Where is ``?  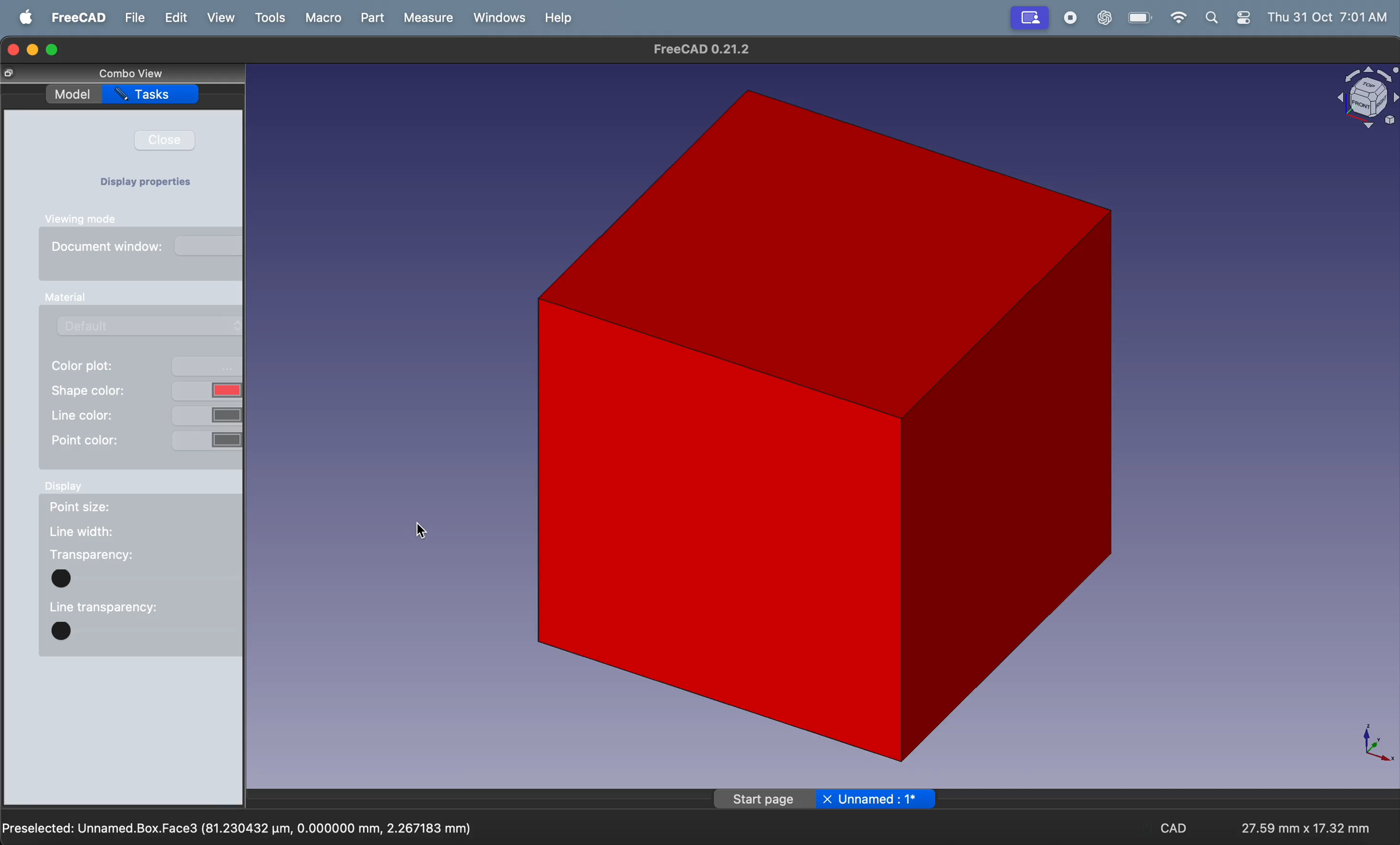  is located at coordinates (63, 298).